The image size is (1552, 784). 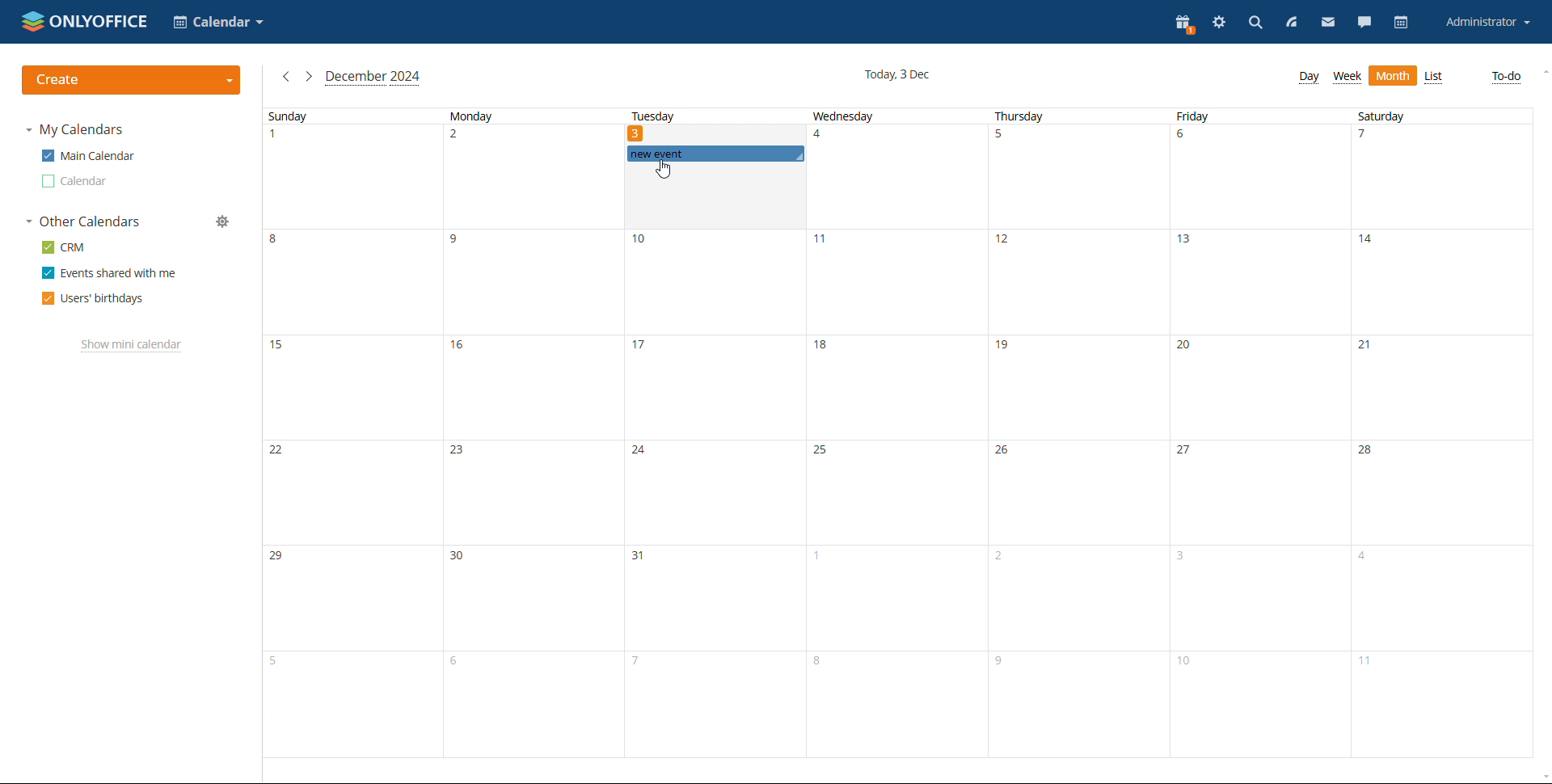 What do you see at coordinates (132, 80) in the screenshot?
I see `create` at bounding box center [132, 80].